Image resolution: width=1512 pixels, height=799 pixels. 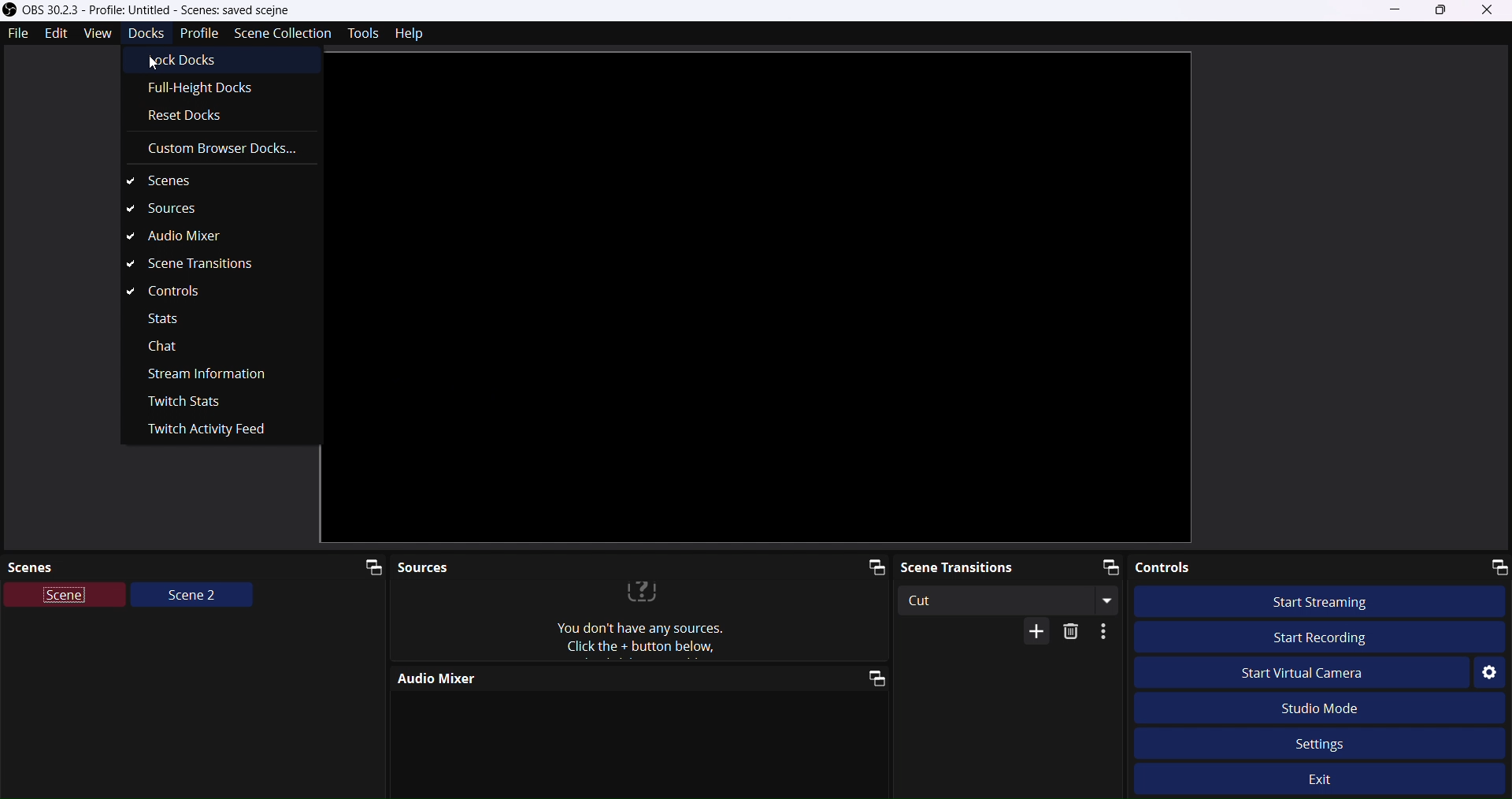 What do you see at coordinates (164, 316) in the screenshot?
I see `Status` at bounding box center [164, 316].